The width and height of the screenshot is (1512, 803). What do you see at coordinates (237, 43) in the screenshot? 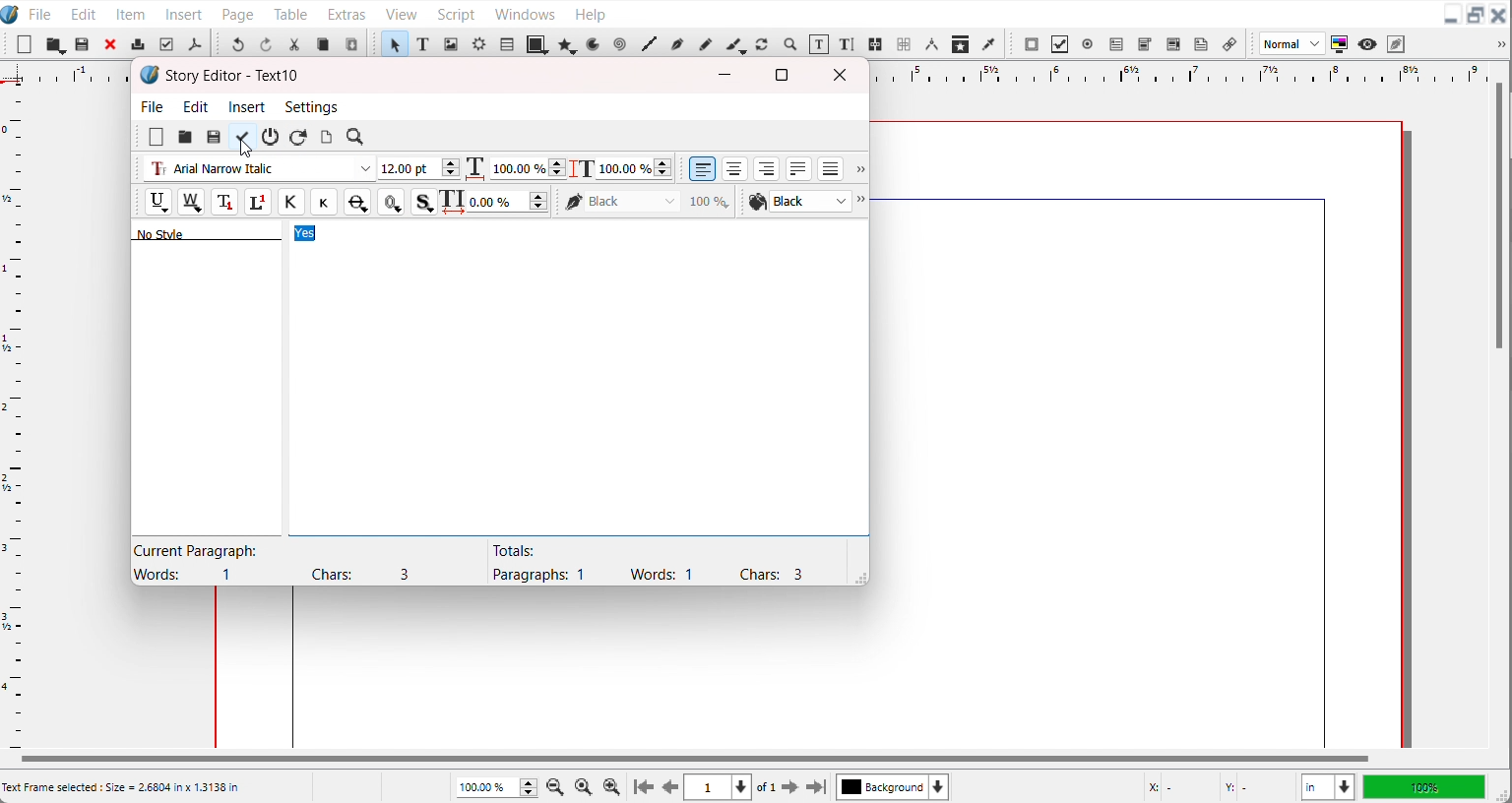
I see `Undo` at bounding box center [237, 43].